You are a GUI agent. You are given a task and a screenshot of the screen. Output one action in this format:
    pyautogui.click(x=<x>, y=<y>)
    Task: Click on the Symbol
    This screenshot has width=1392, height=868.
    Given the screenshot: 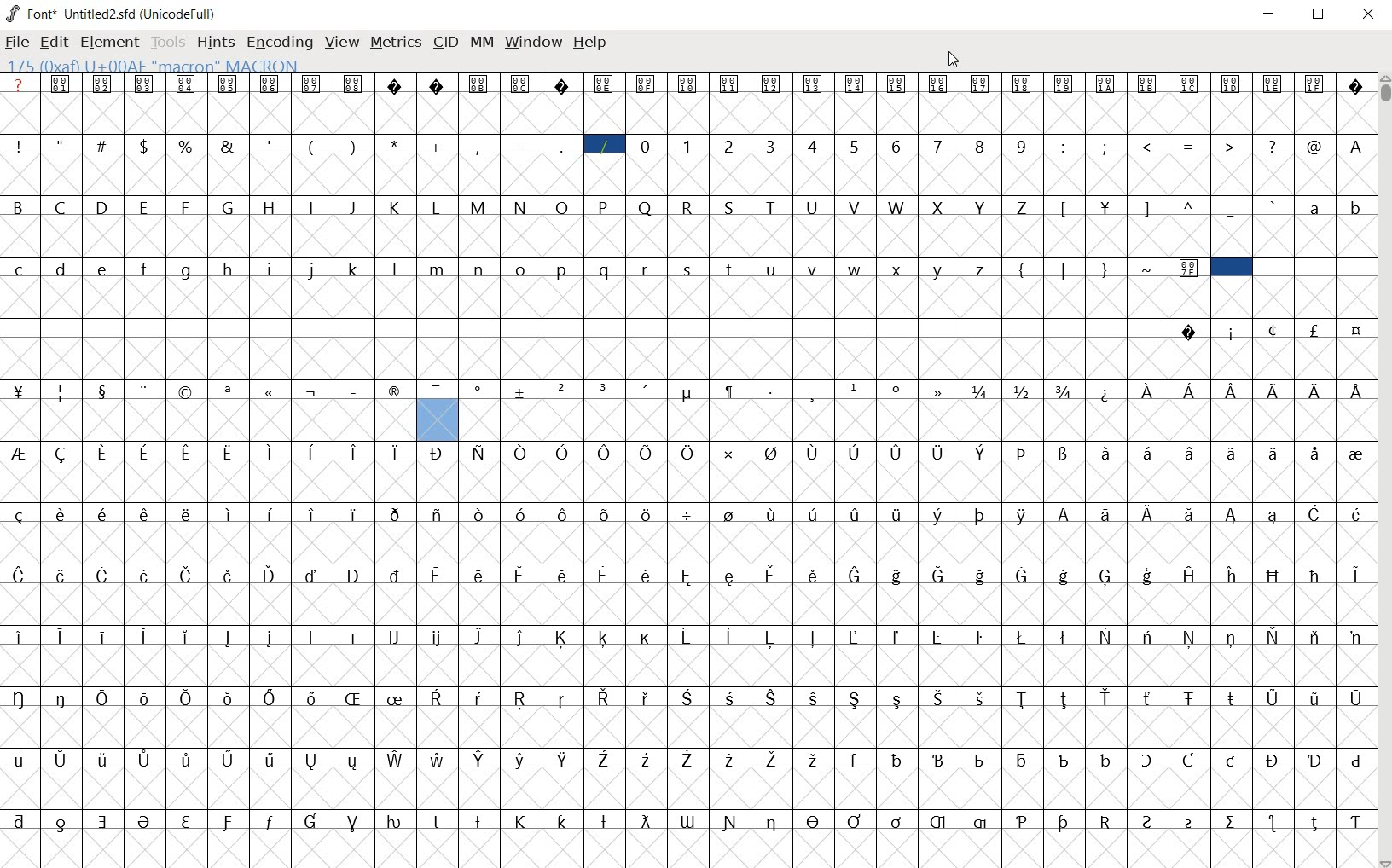 What is the action you would take?
    pyautogui.click(x=1149, y=86)
    